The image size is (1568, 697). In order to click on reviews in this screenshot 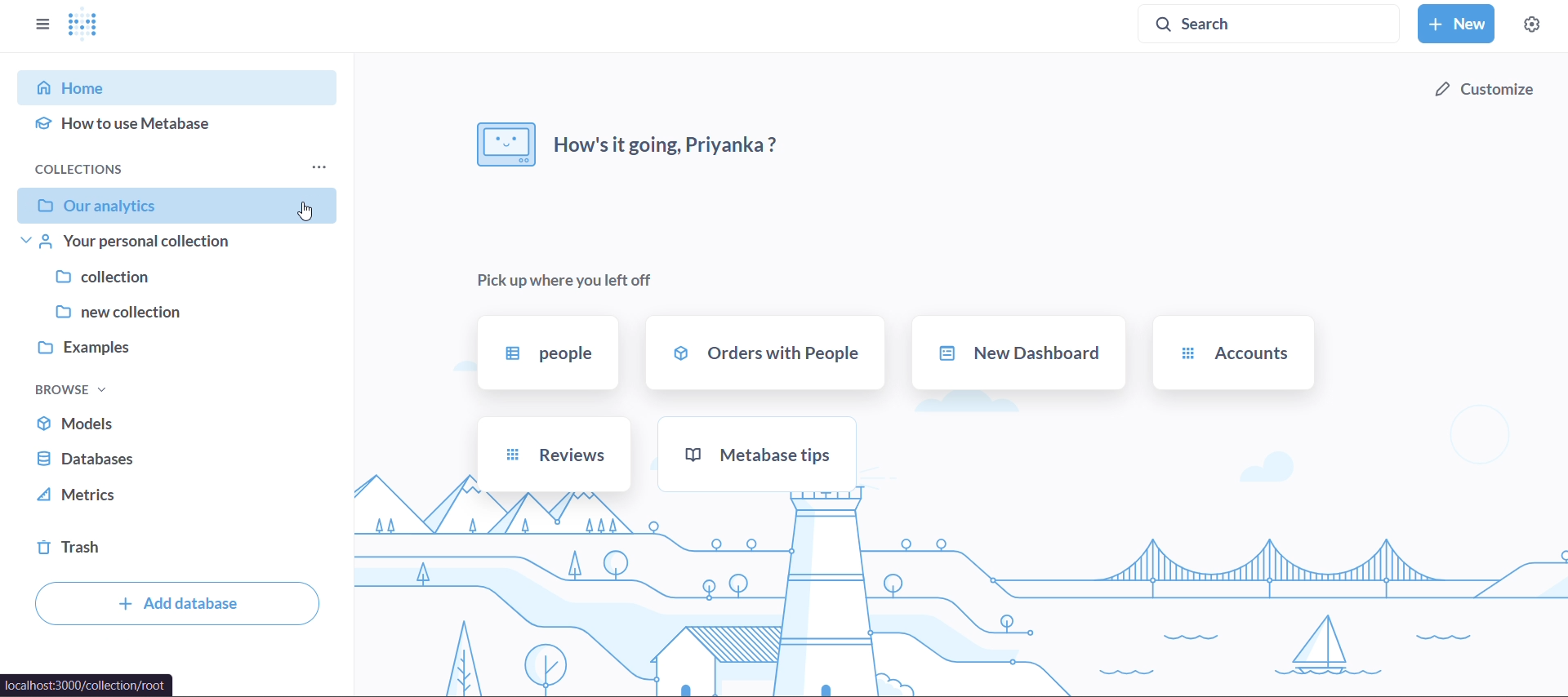, I will do `click(554, 455)`.